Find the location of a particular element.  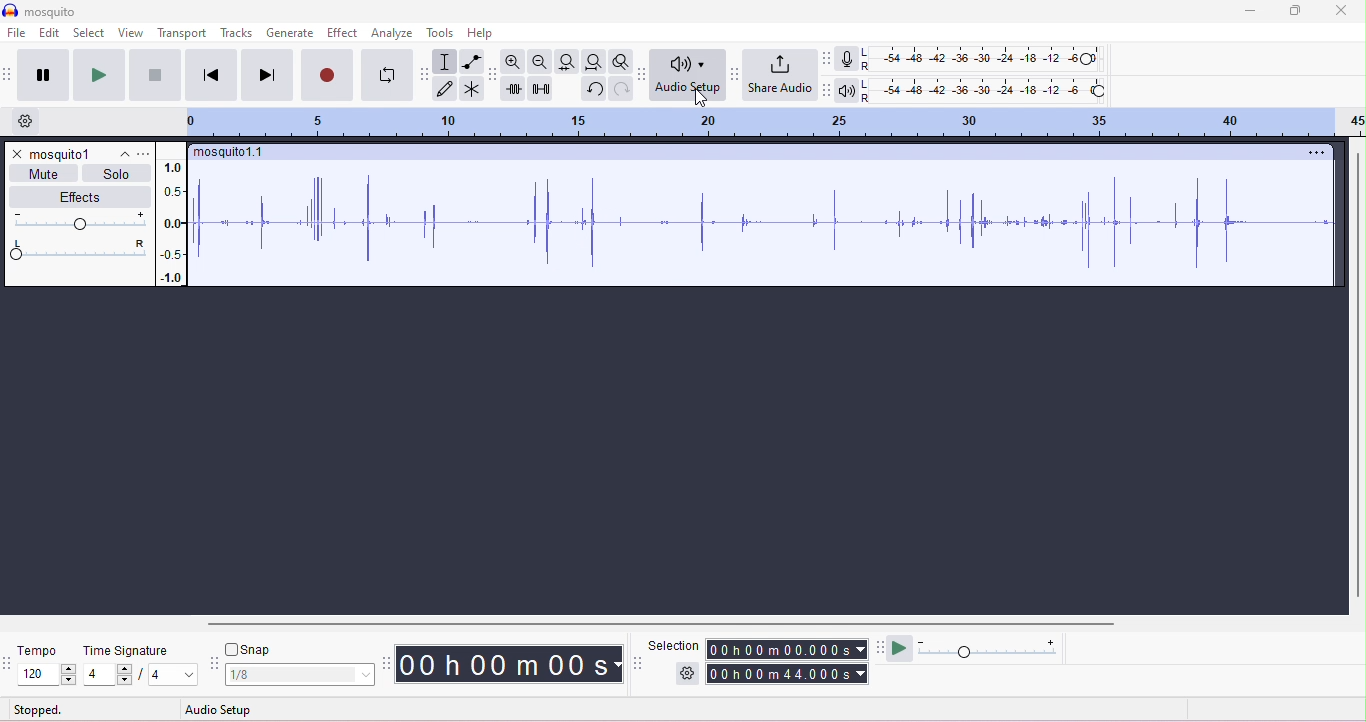

file is located at coordinates (17, 34).